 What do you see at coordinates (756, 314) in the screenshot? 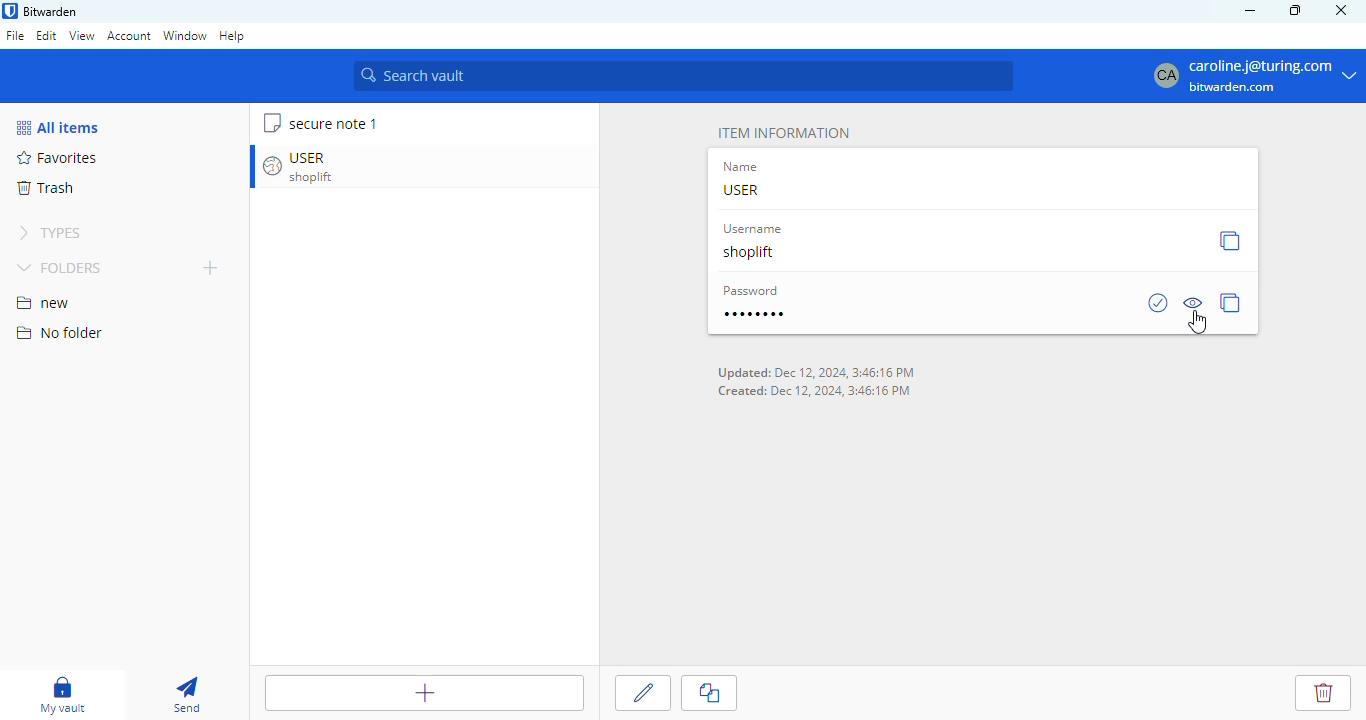
I see `hidden password` at bounding box center [756, 314].